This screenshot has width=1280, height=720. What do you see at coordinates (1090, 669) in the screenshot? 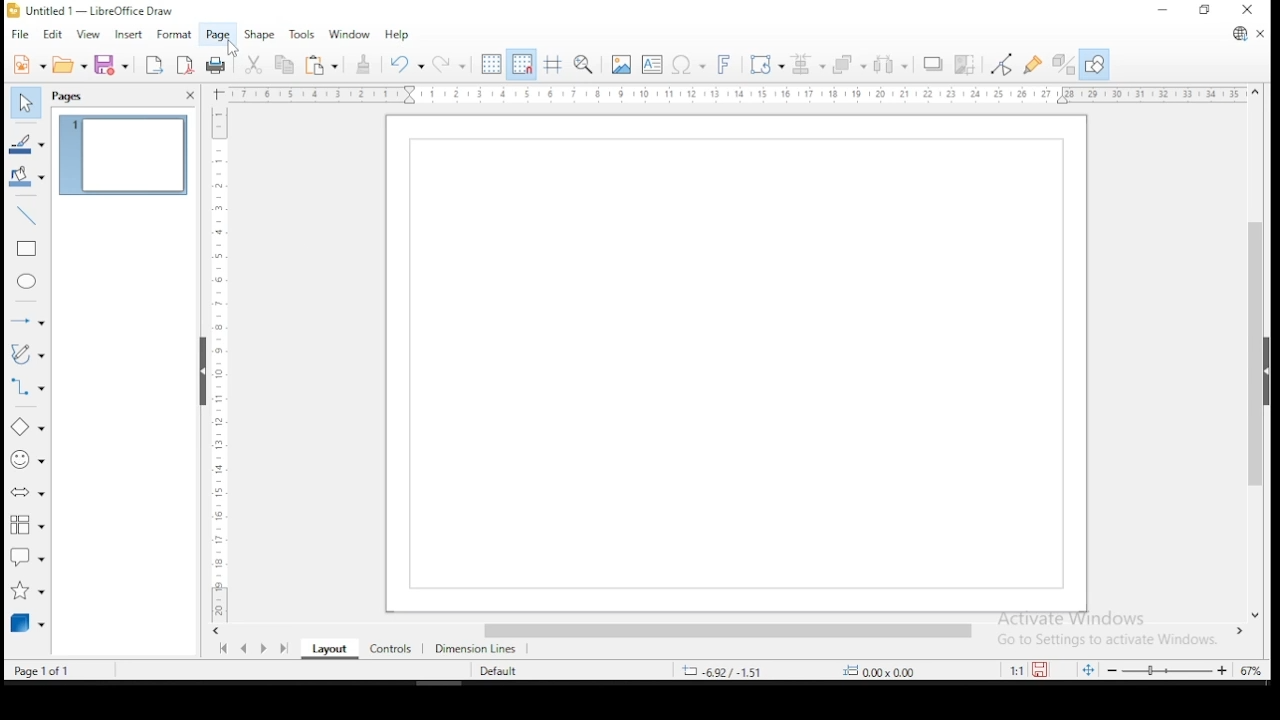
I see `fit document to window` at bounding box center [1090, 669].